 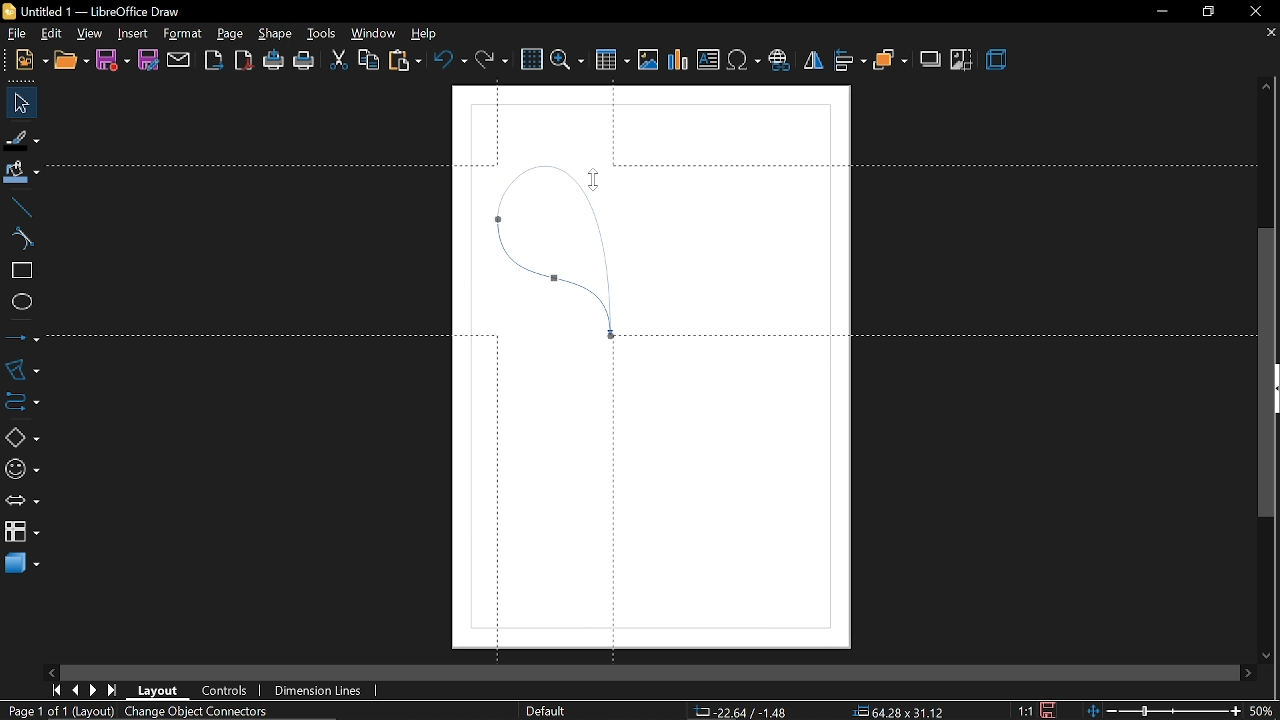 What do you see at coordinates (679, 60) in the screenshot?
I see `Insert chart` at bounding box center [679, 60].